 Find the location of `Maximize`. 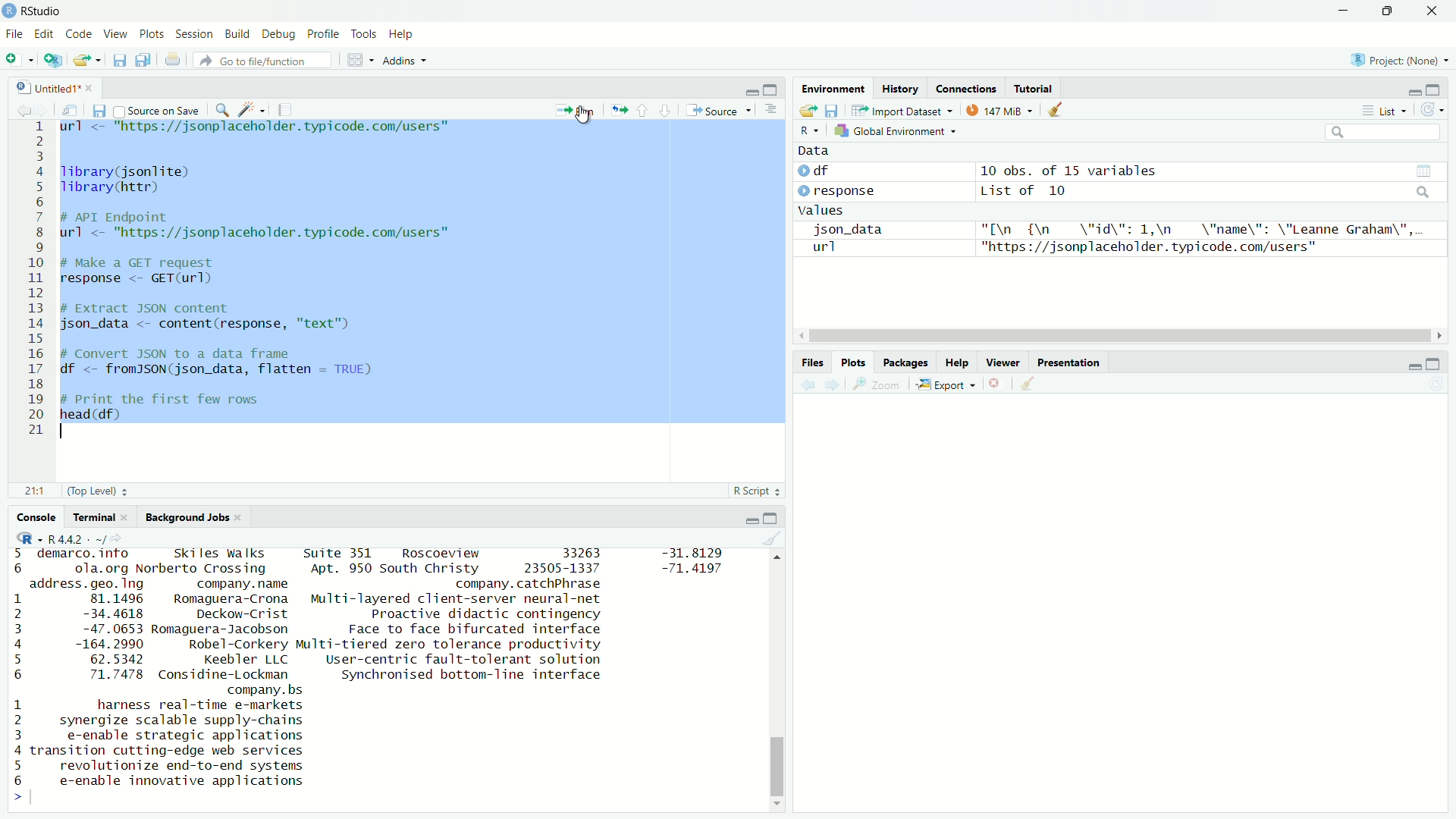

Maximize is located at coordinates (772, 519).